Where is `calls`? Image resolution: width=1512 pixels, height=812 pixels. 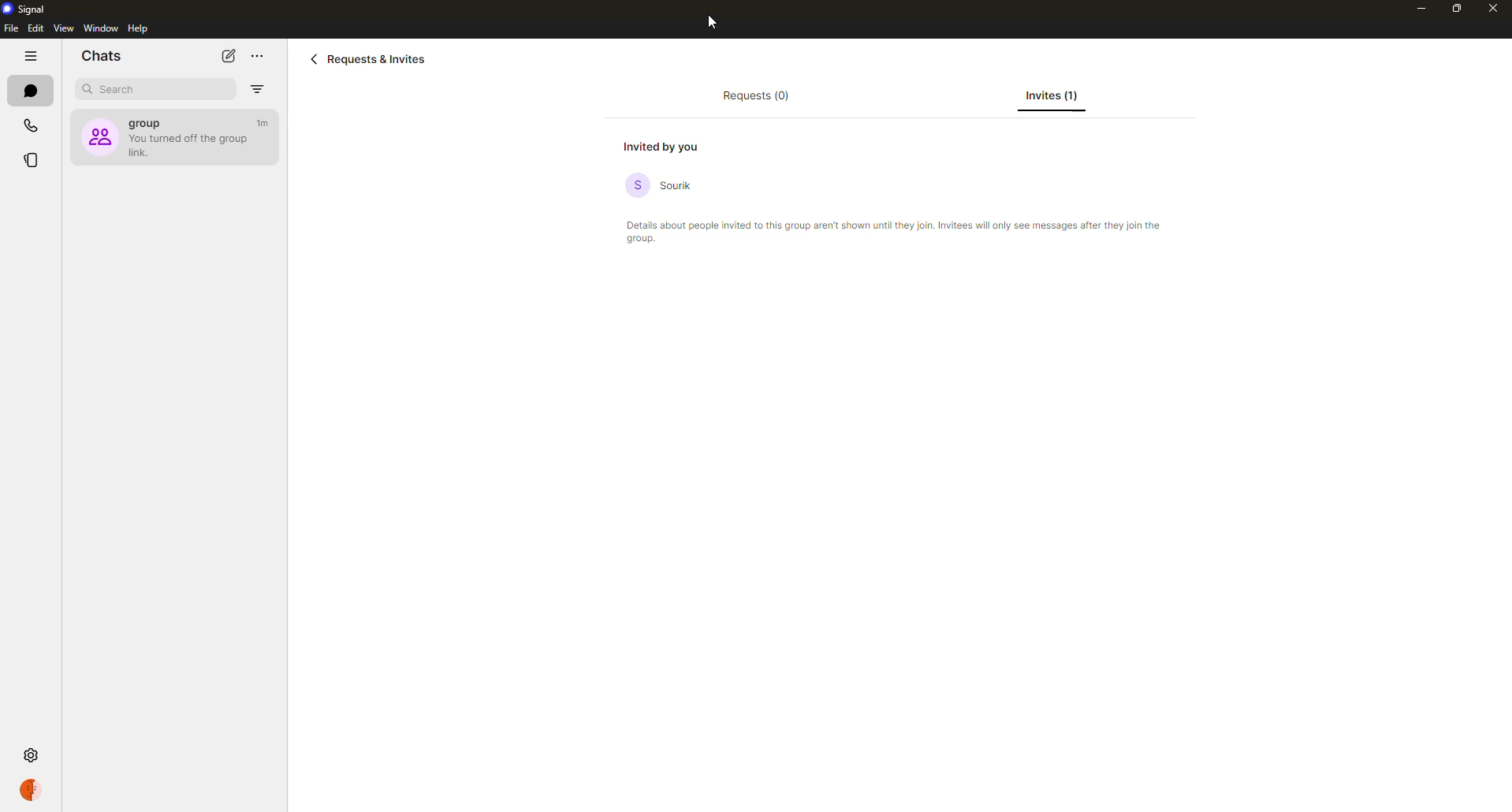
calls is located at coordinates (29, 126).